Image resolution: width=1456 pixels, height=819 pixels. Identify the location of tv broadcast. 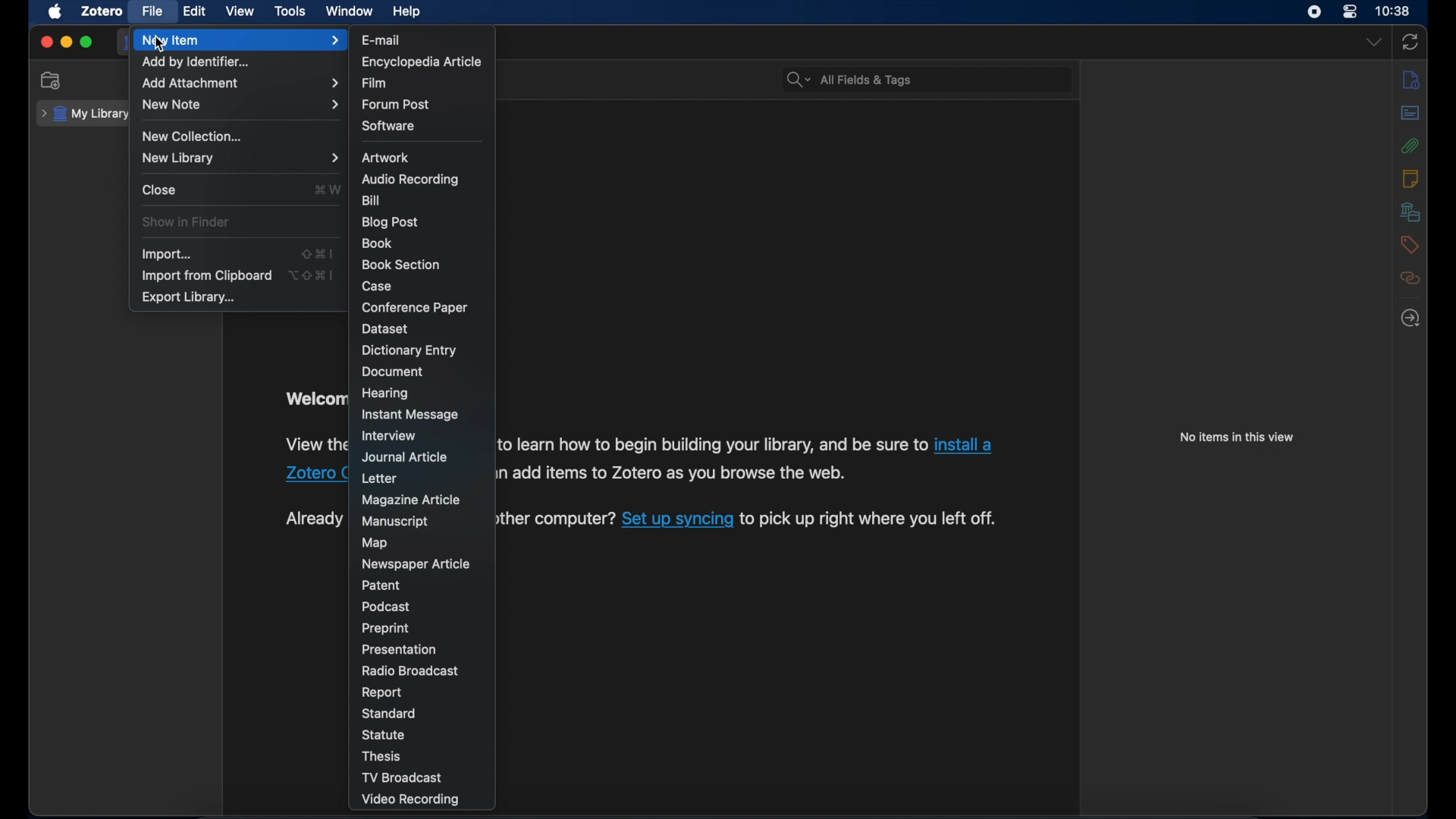
(414, 777).